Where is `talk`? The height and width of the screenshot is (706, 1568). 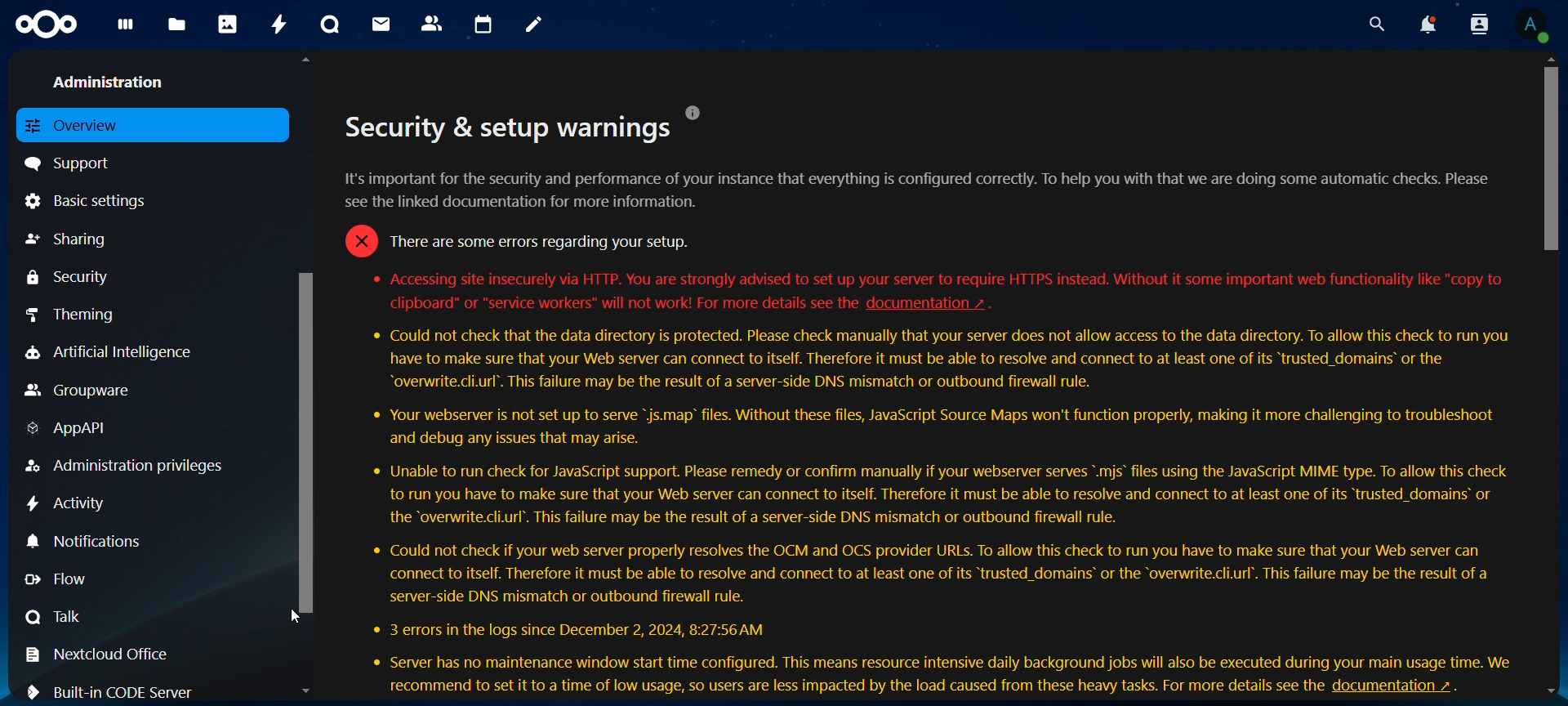
talk is located at coordinates (56, 616).